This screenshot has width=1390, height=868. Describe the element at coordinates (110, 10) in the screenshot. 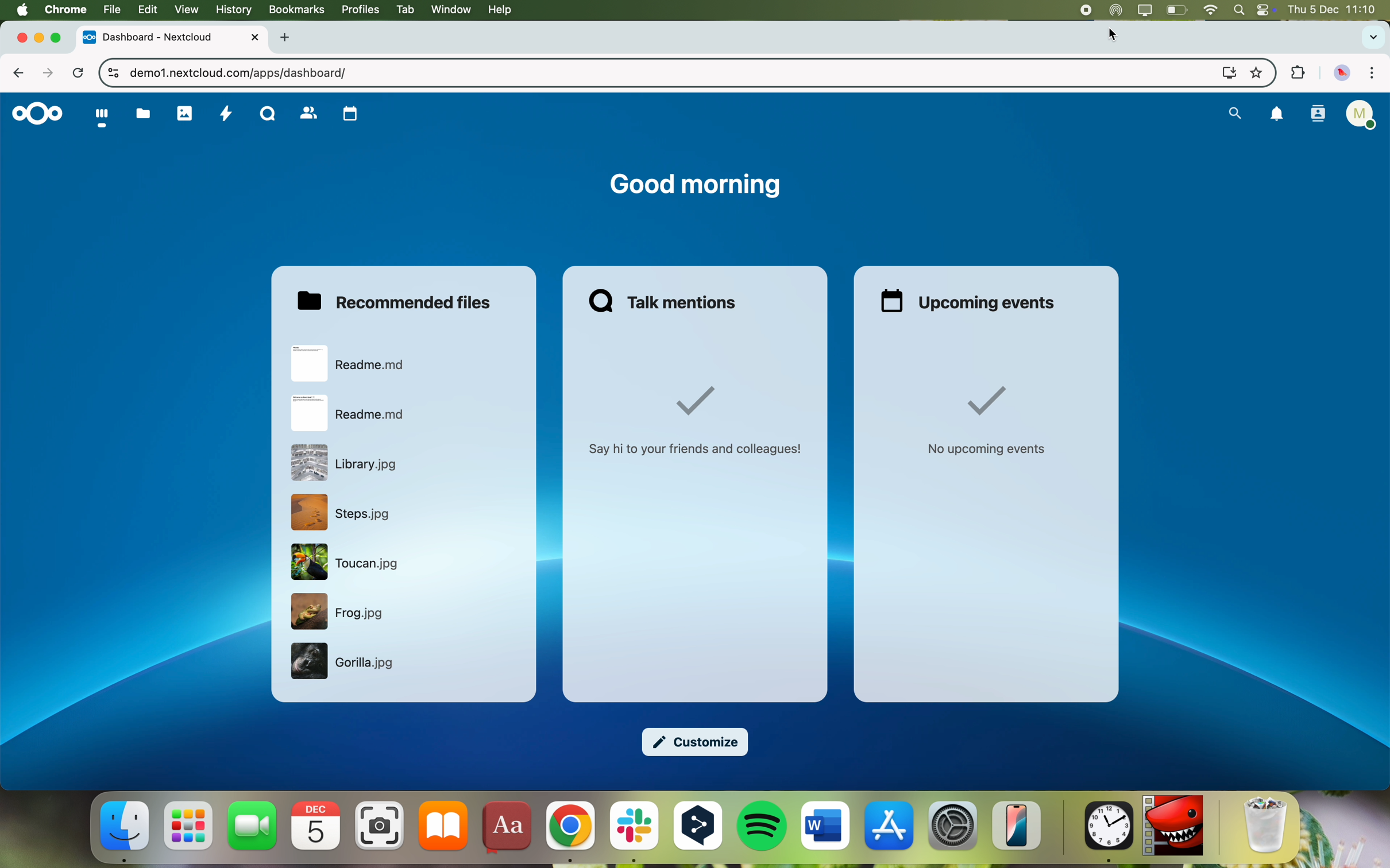

I see `file` at that location.